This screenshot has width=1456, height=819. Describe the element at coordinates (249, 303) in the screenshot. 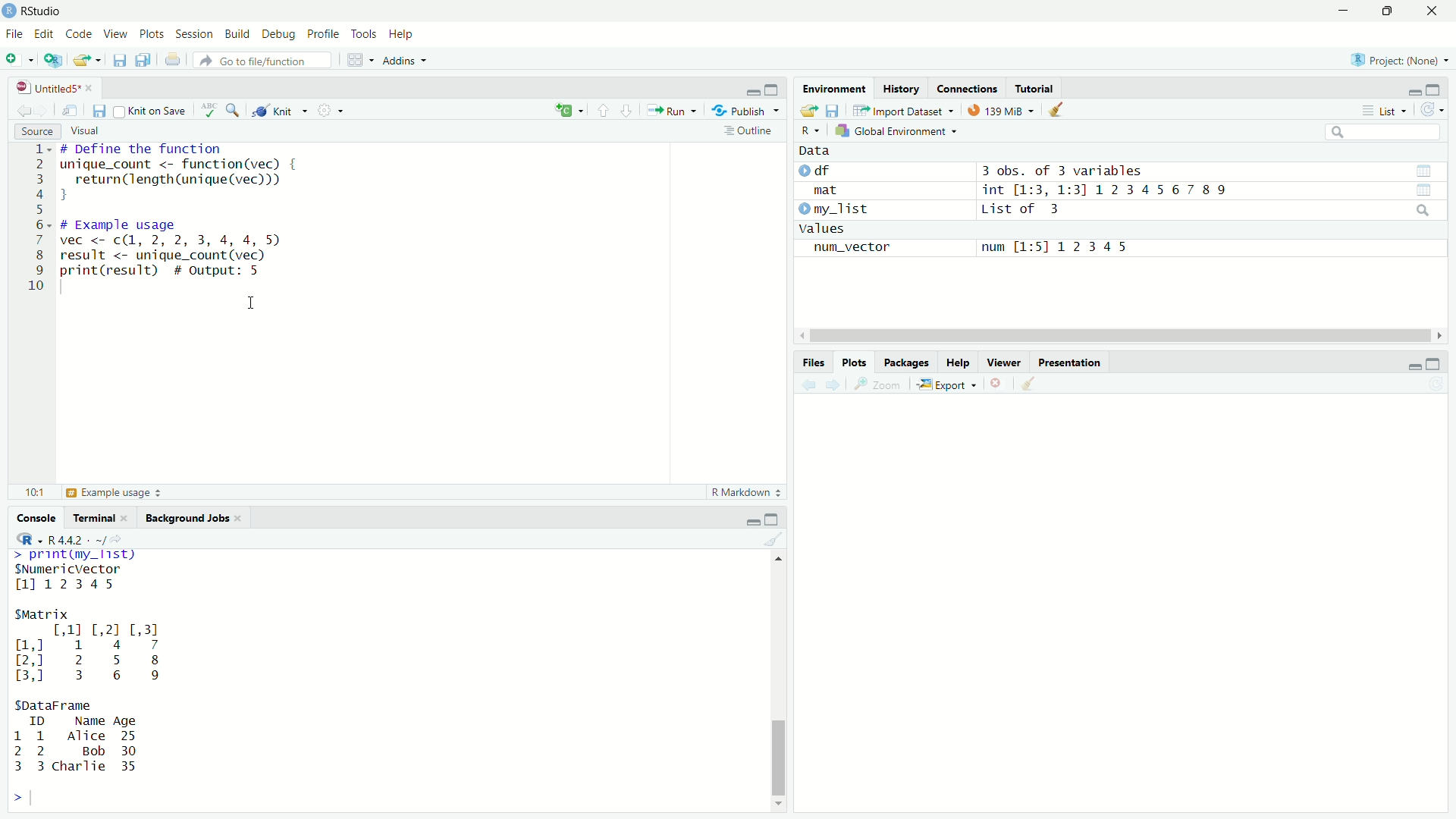

I see `cursor` at that location.